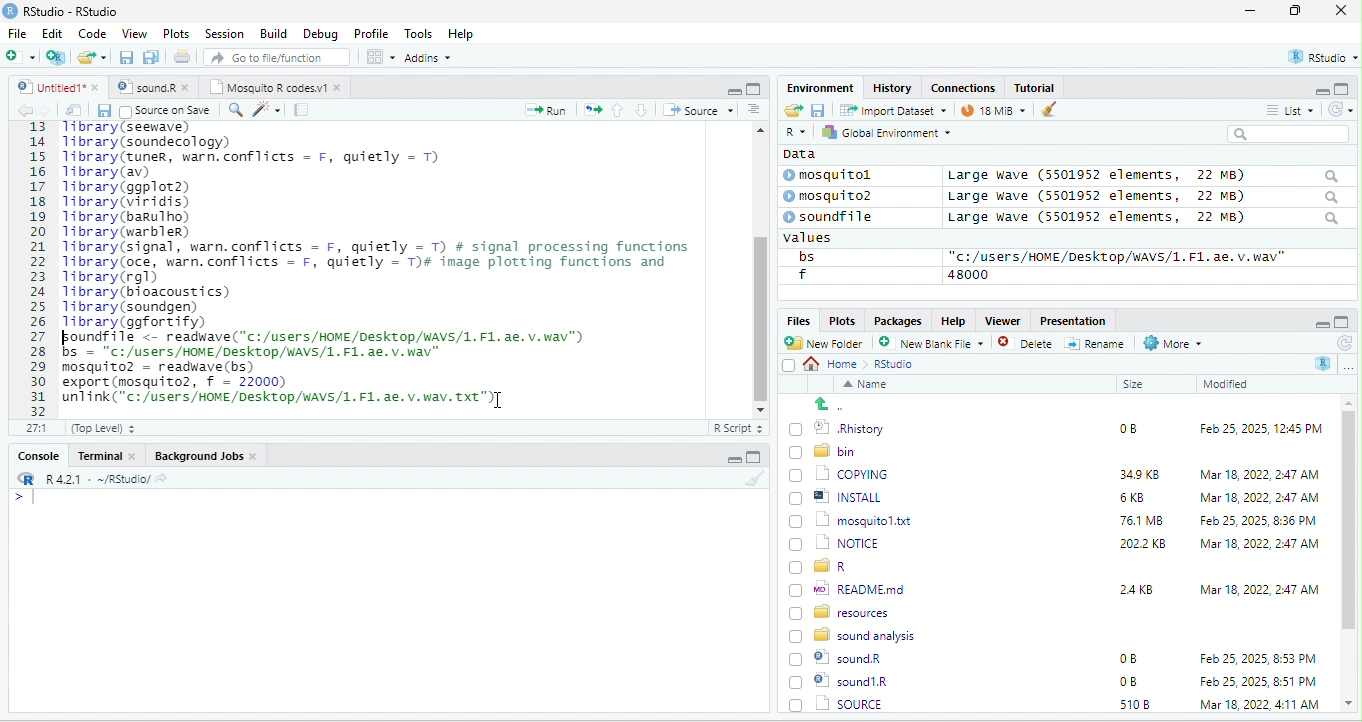 This screenshot has height=722, width=1362. Describe the element at coordinates (1145, 704) in the screenshot. I see `1302 KB` at that location.